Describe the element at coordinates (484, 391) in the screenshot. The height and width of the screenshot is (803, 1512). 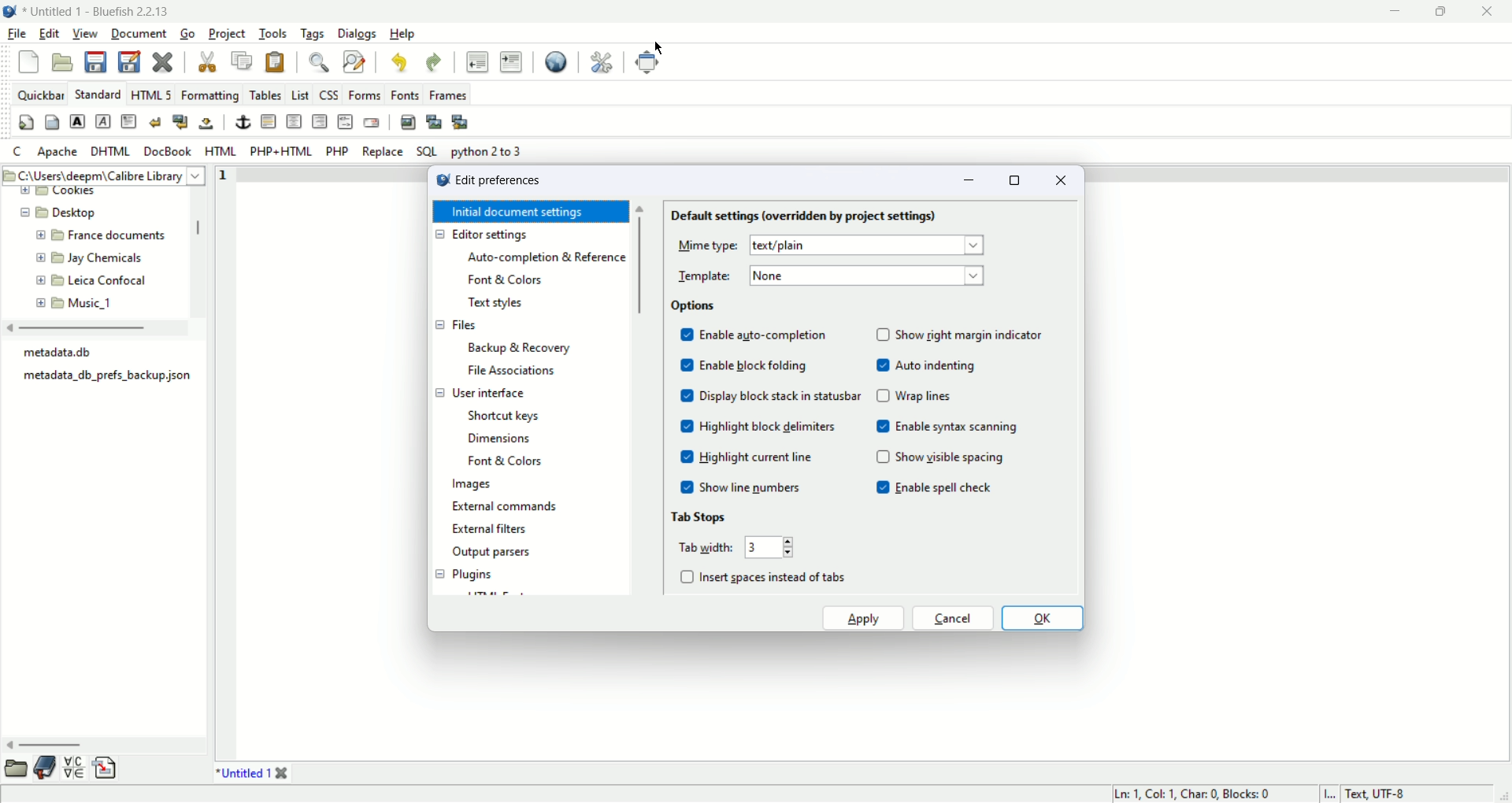
I see `user interface` at that location.